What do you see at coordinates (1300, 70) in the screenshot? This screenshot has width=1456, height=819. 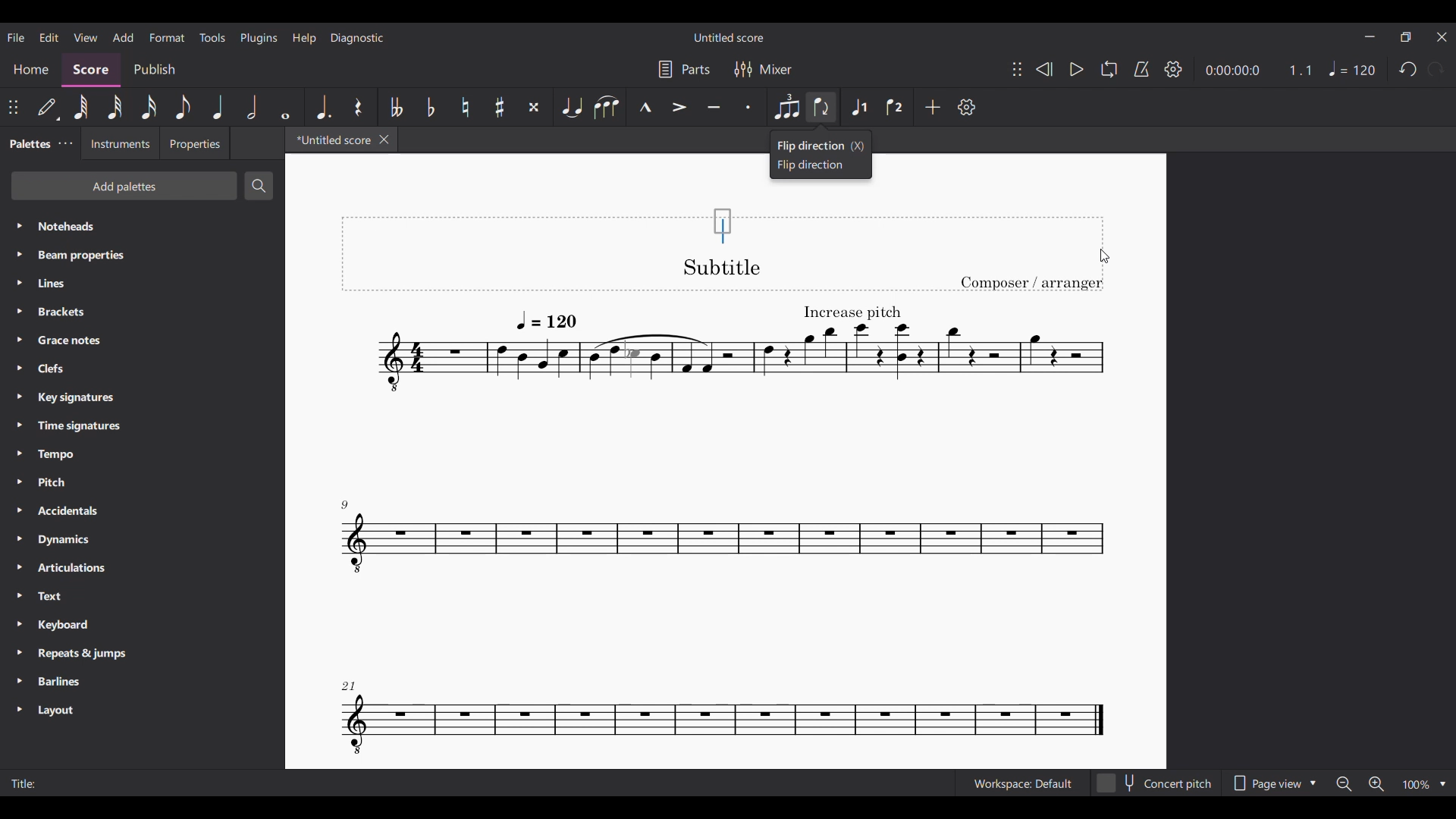 I see `Current ratio` at bounding box center [1300, 70].